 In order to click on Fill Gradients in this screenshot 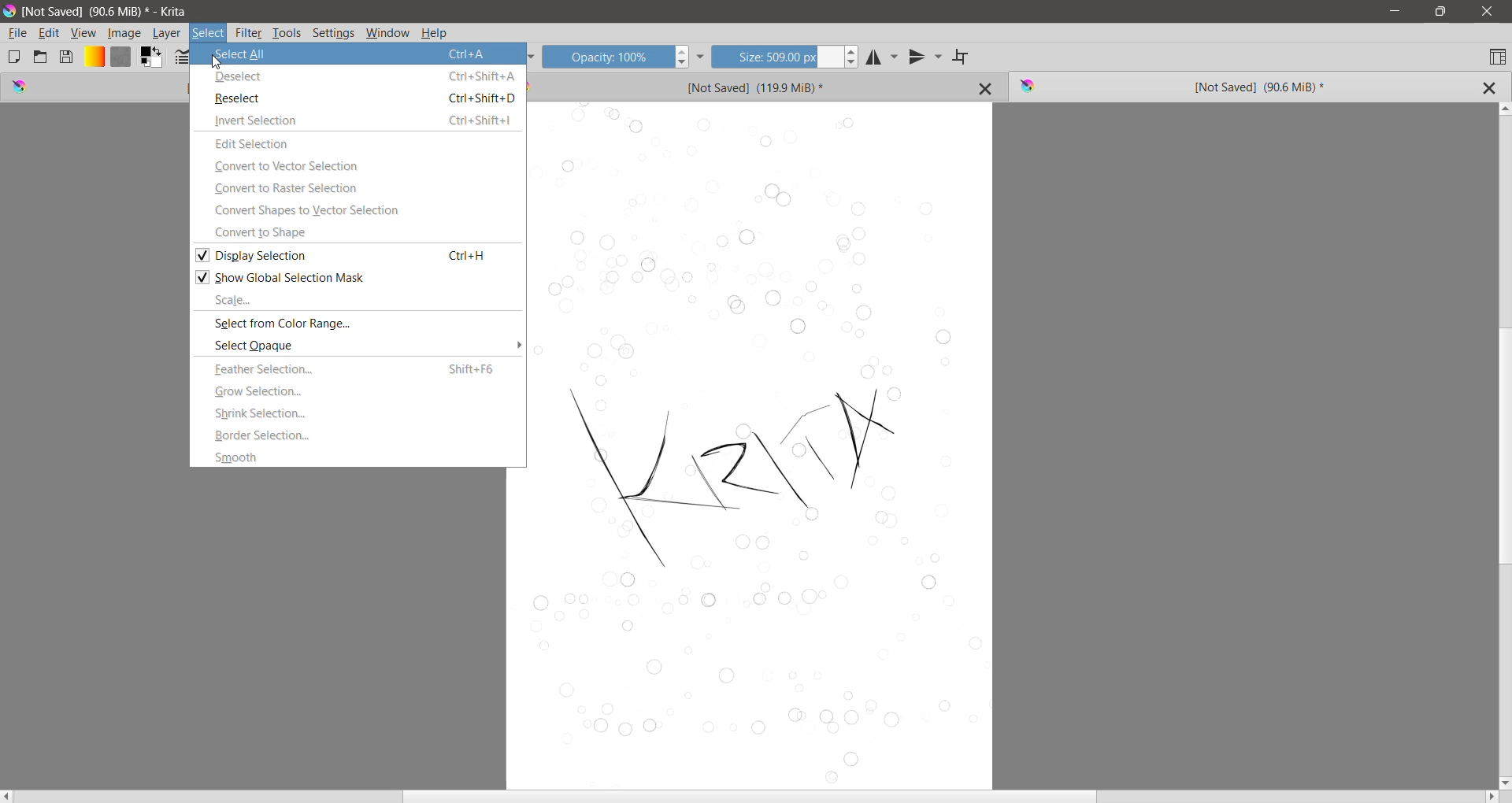, I will do `click(94, 57)`.